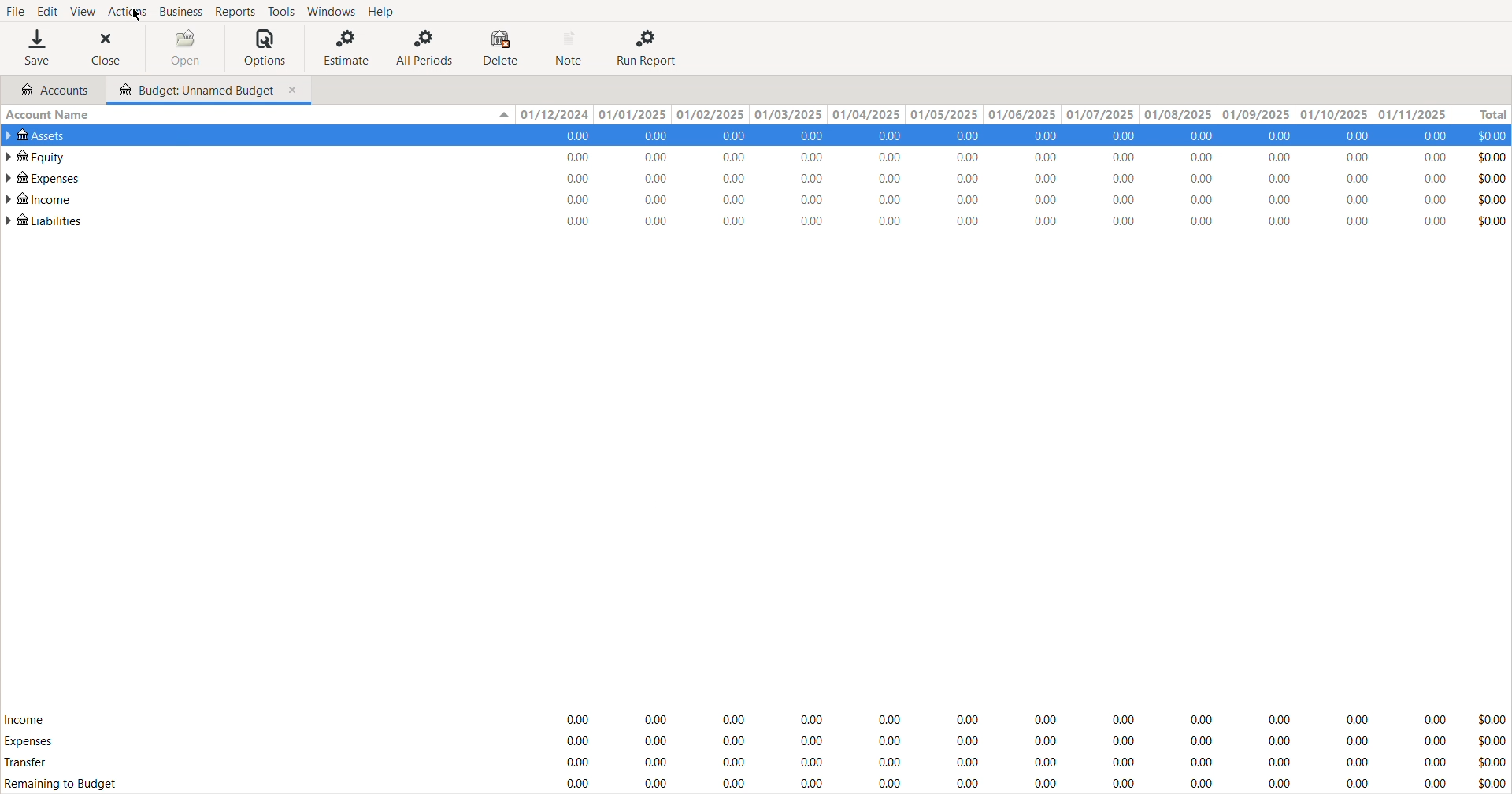 The height and width of the screenshot is (794, 1512). I want to click on Expenses, so click(28, 740).